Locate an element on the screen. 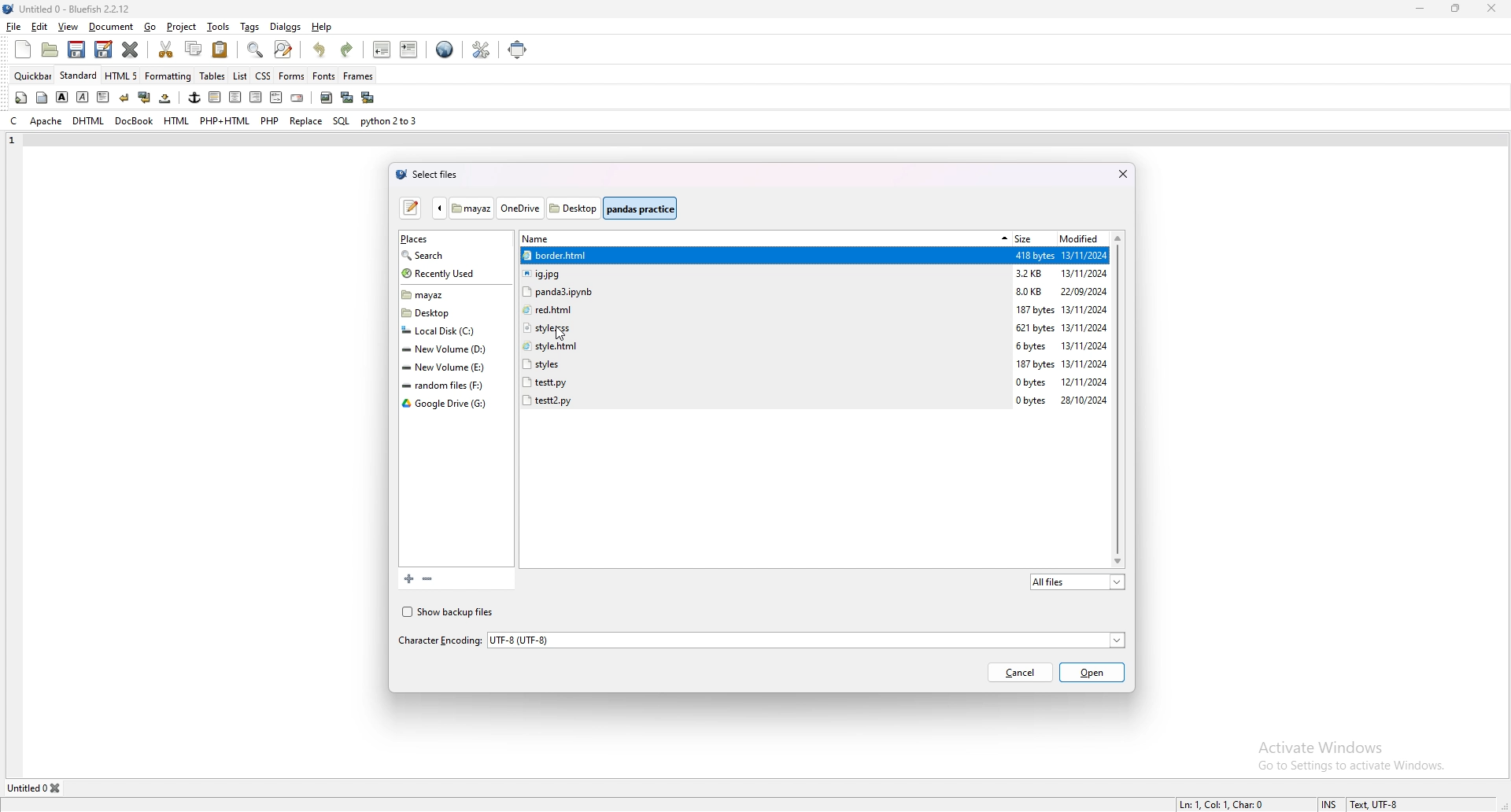  sort is located at coordinates (1001, 238).